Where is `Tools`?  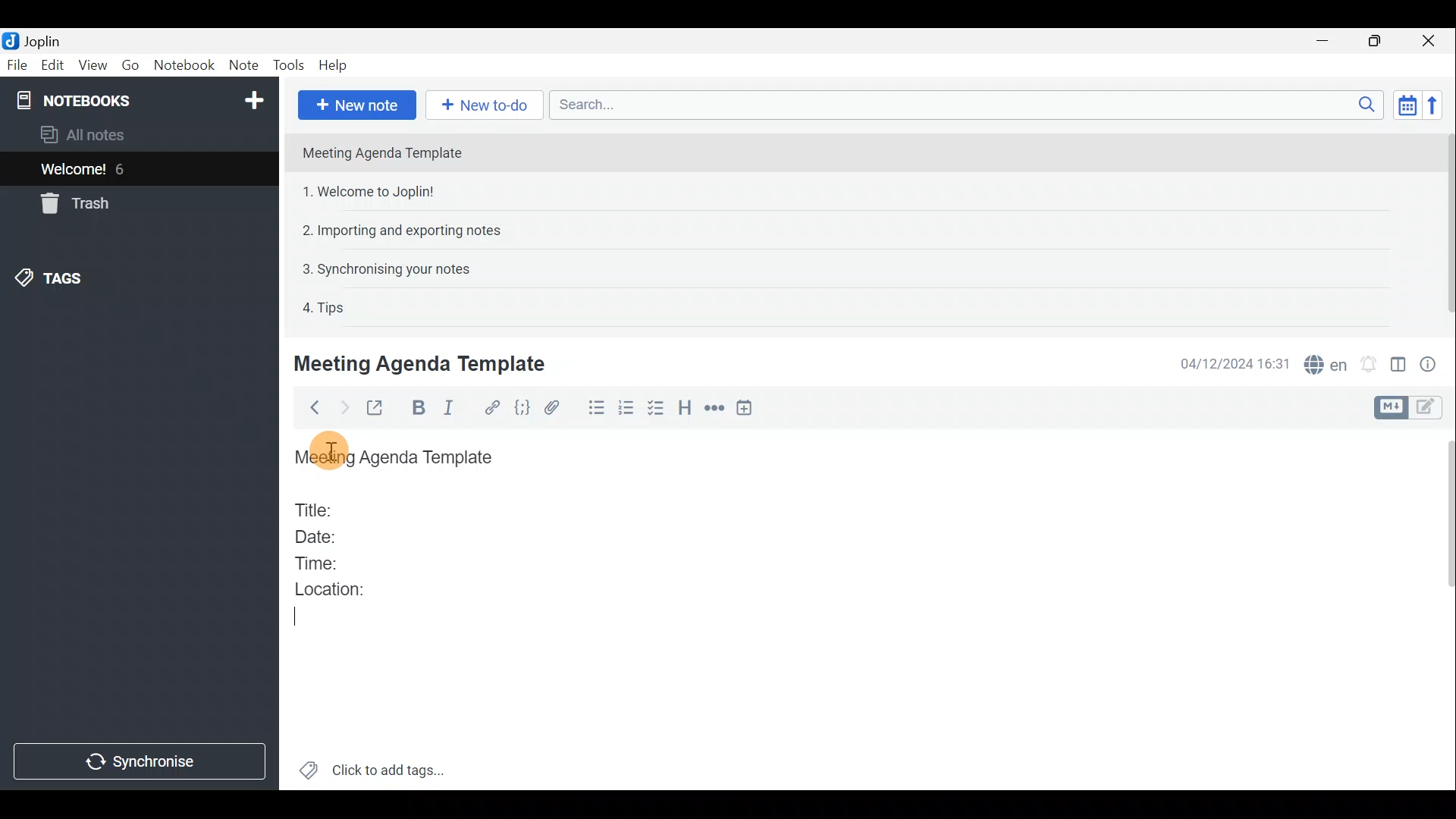 Tools is located at coordinates (287, 64).